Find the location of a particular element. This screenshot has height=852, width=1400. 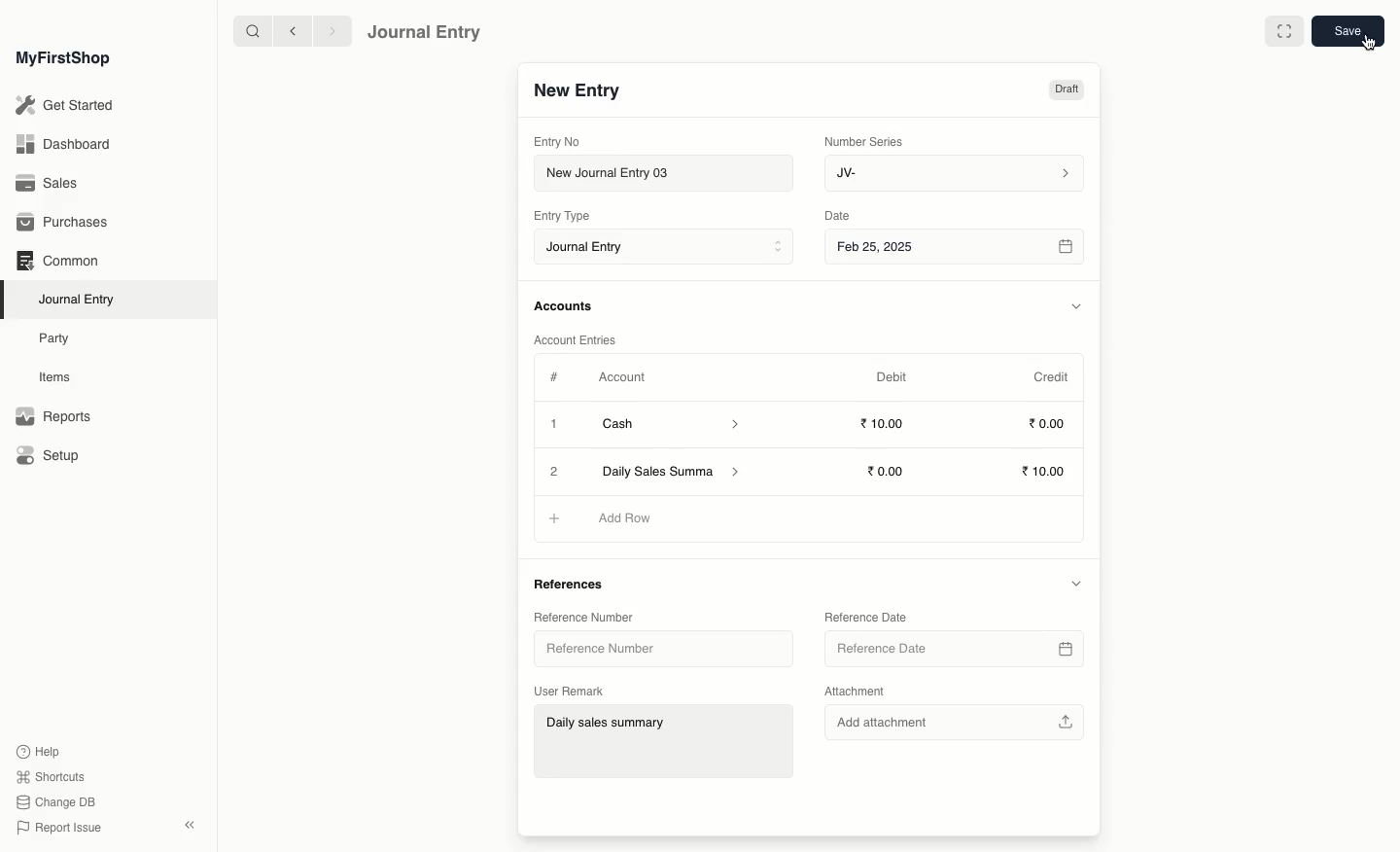

10.00 is located at coordinates (891, 471).